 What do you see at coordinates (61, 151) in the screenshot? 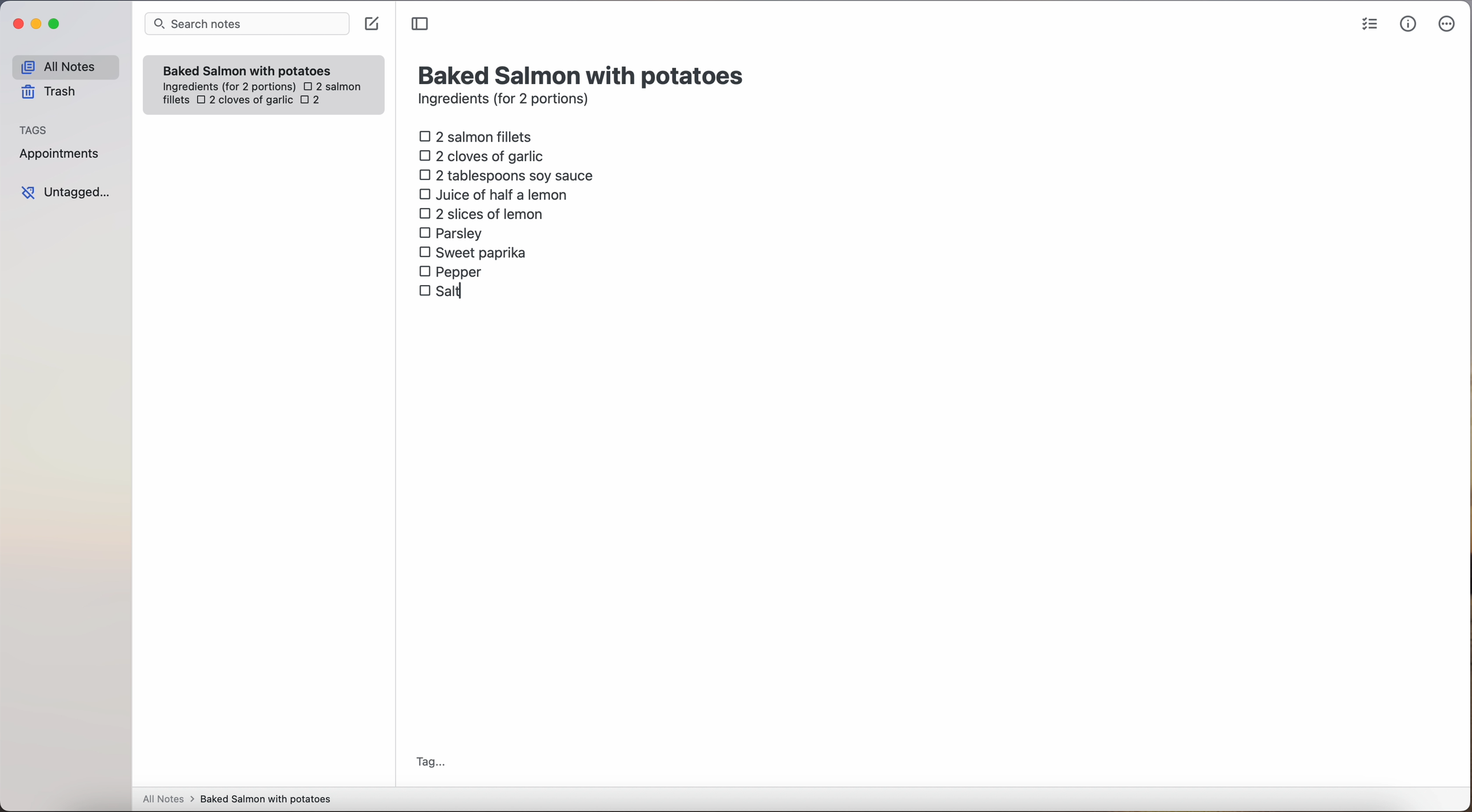
I see `appointments tag` at bounding box center [61, 151].